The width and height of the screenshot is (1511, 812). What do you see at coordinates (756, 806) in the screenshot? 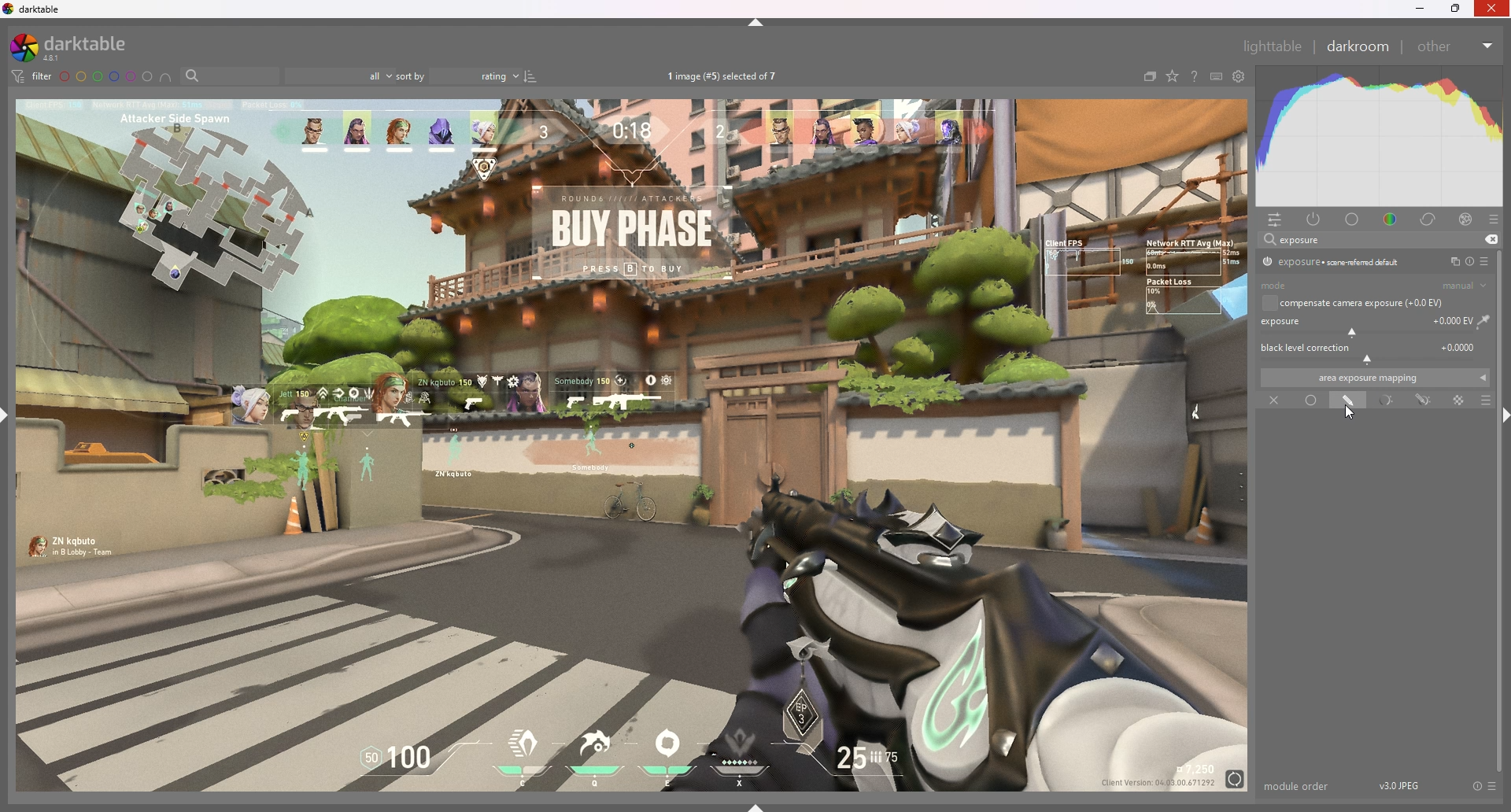
I see `show` at bounding box center [756, 806].